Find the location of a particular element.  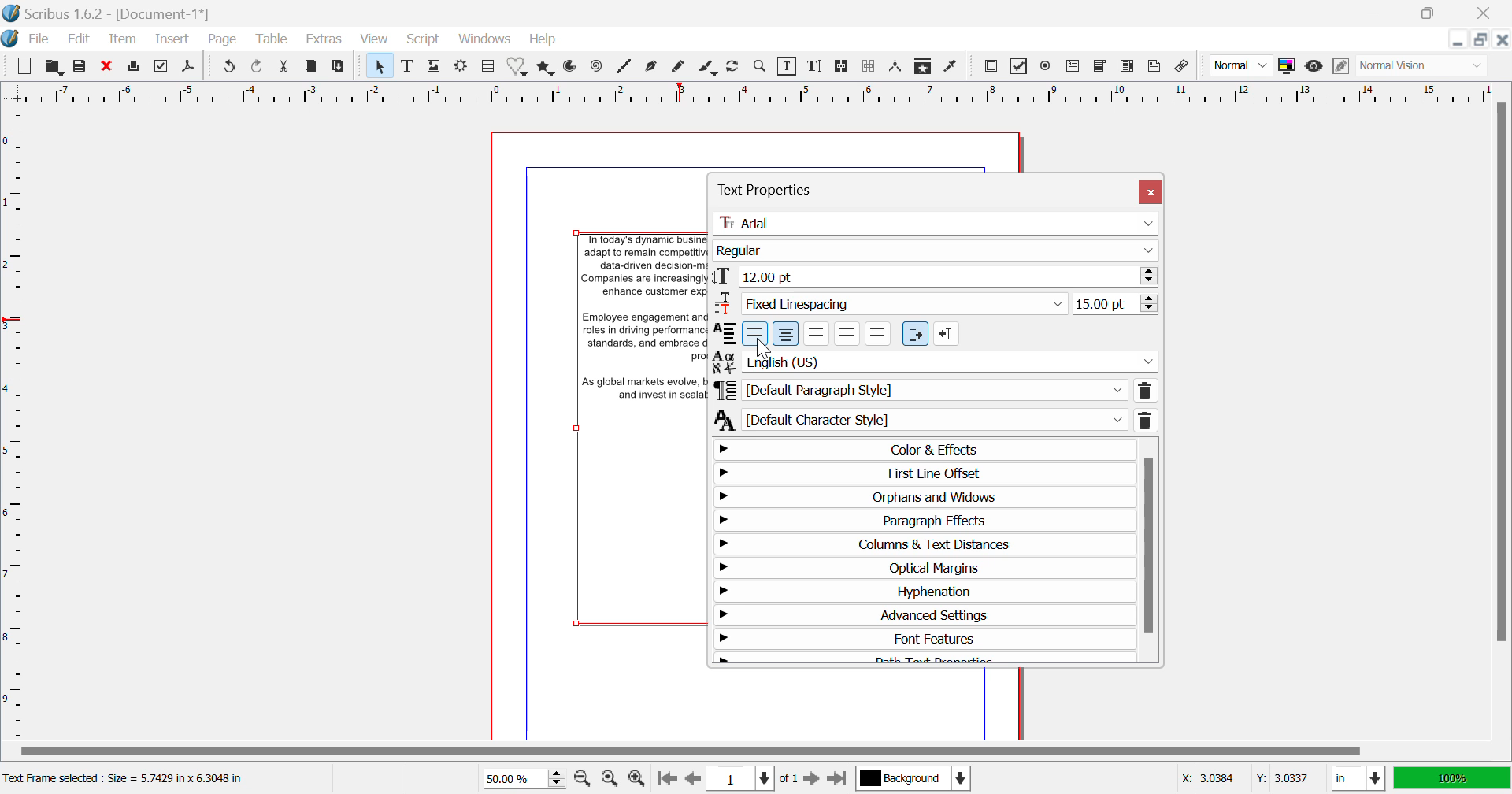

Copy Item Properties is located at coordinates (923, 65).